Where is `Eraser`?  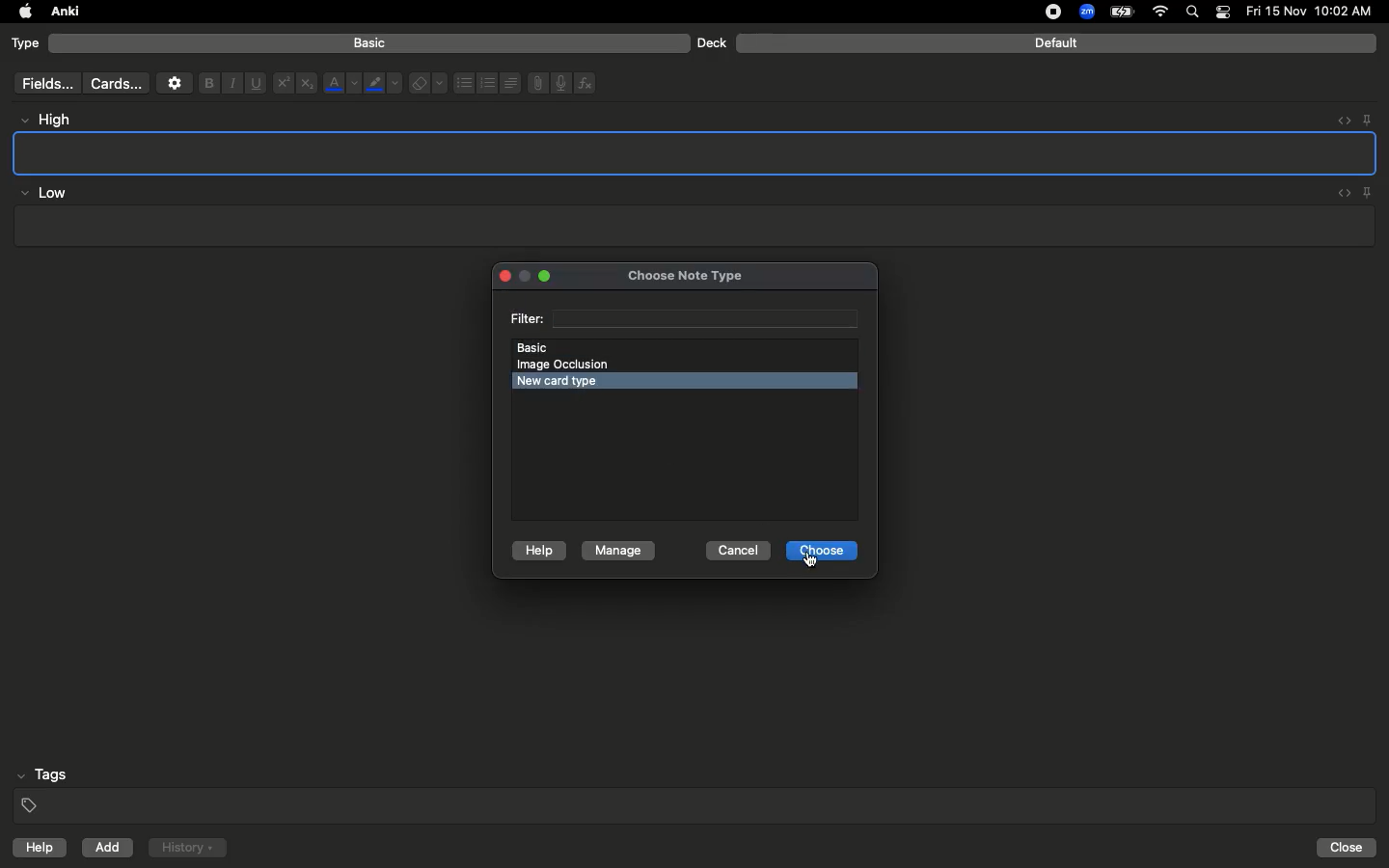
Eraser is located at coordinates (427, 84).